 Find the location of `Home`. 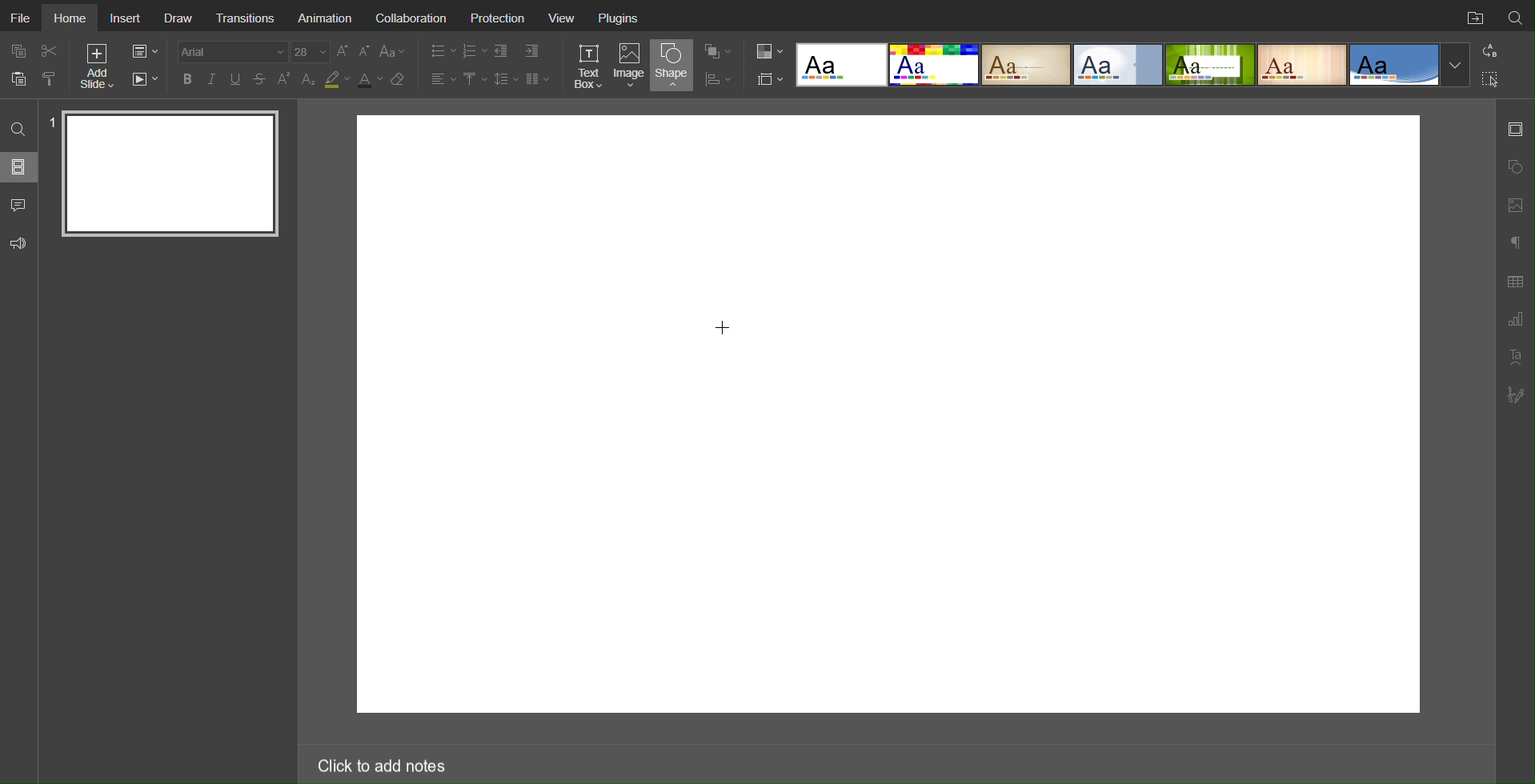

Home is located at coordinates (71, 18).